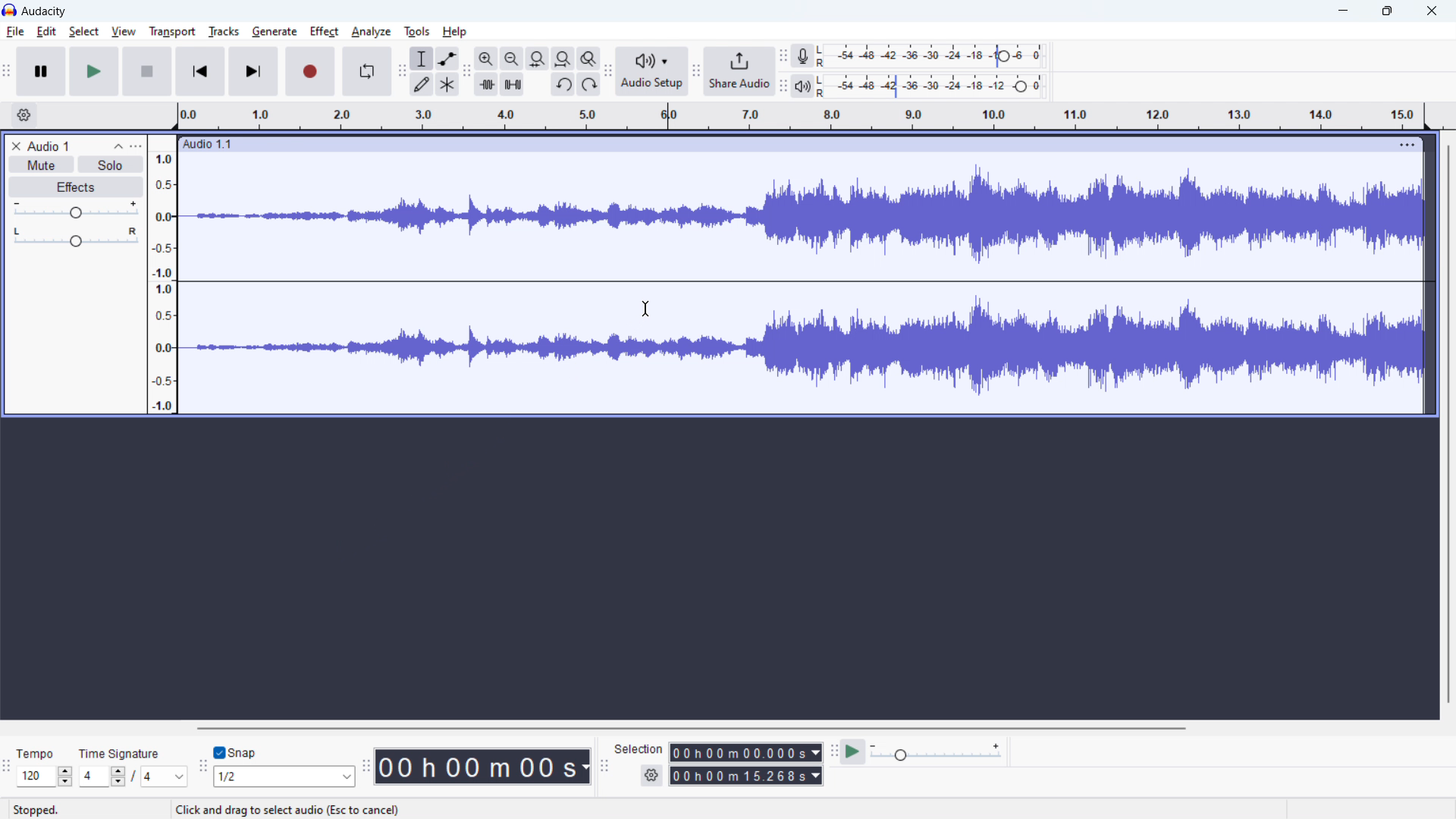 Image resolution: width=1456 pixels, height=819 pixels. Describe the element at coordinates (172, 32) in the screenshot. I see `transport` at that location.